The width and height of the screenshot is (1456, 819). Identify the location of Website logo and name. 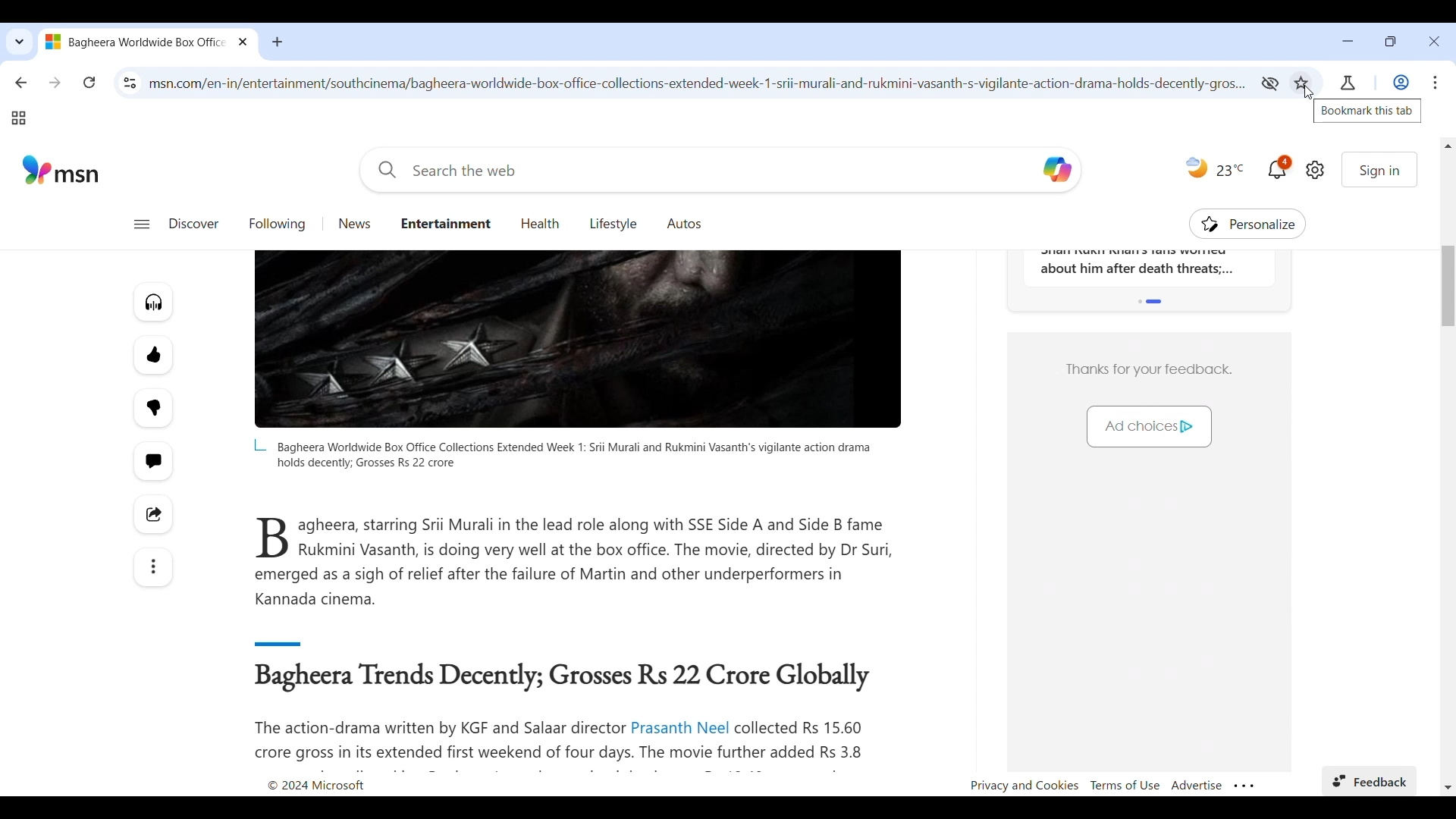
(61, 169).